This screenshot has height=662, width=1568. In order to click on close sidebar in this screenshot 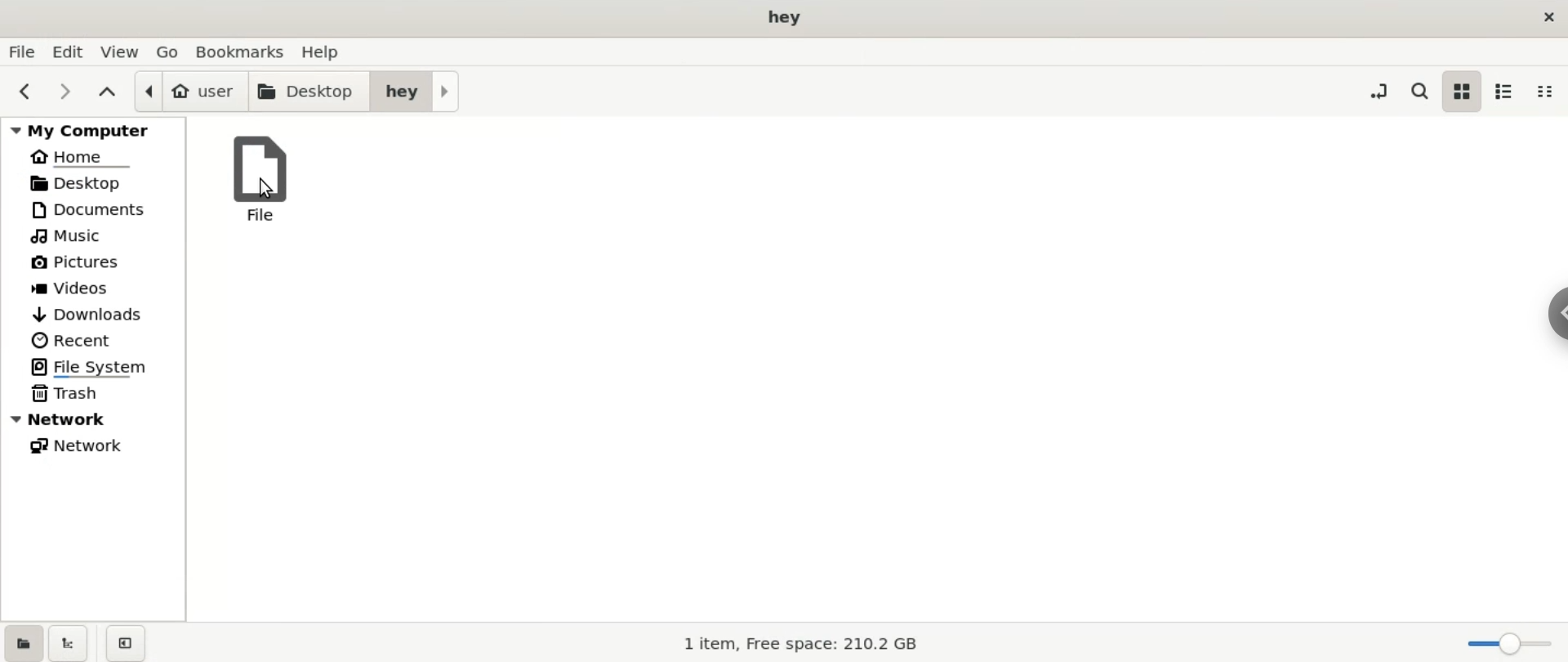, I will do `click(129, 642)`.